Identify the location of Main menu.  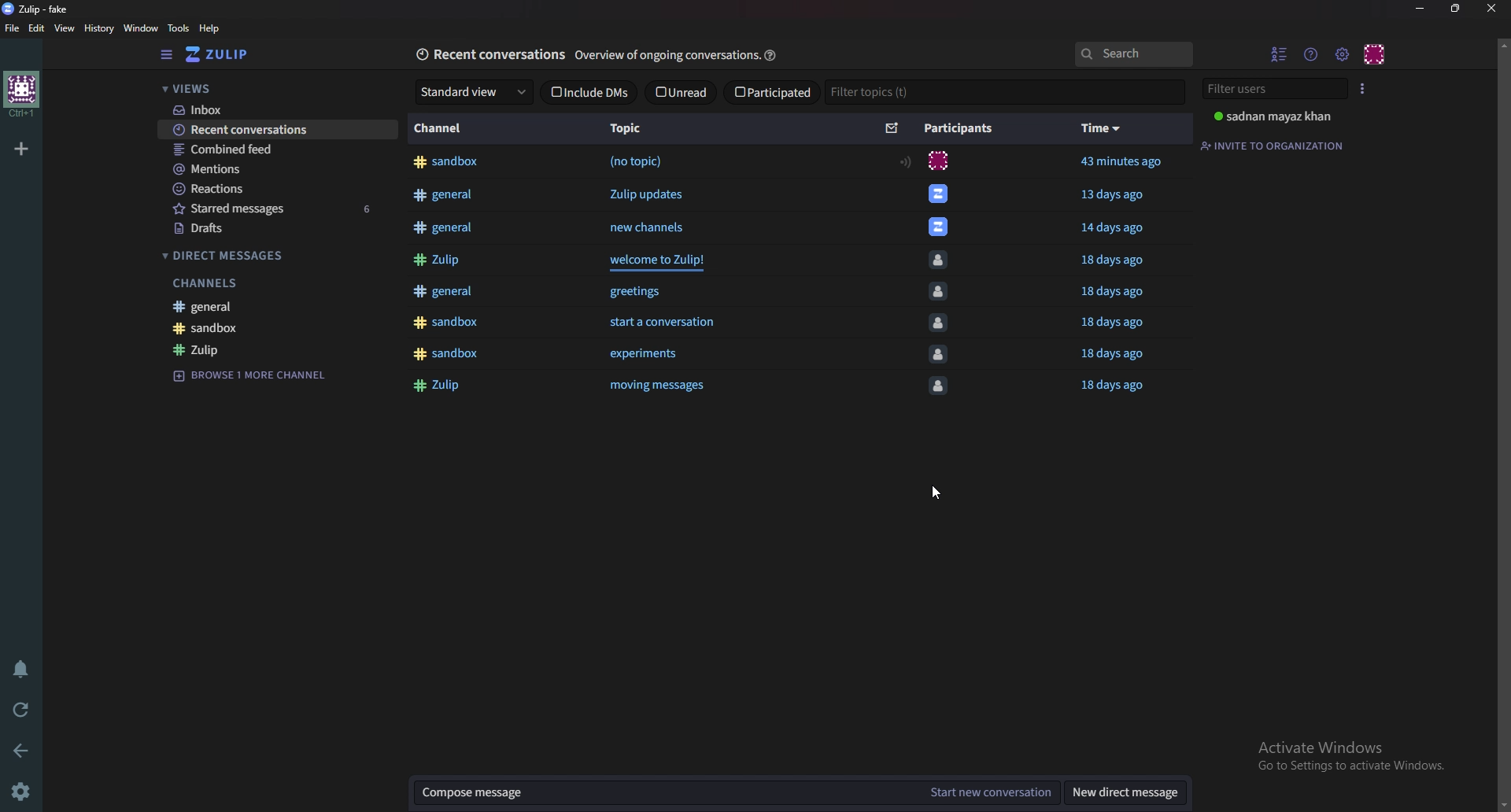
(1341, 54).